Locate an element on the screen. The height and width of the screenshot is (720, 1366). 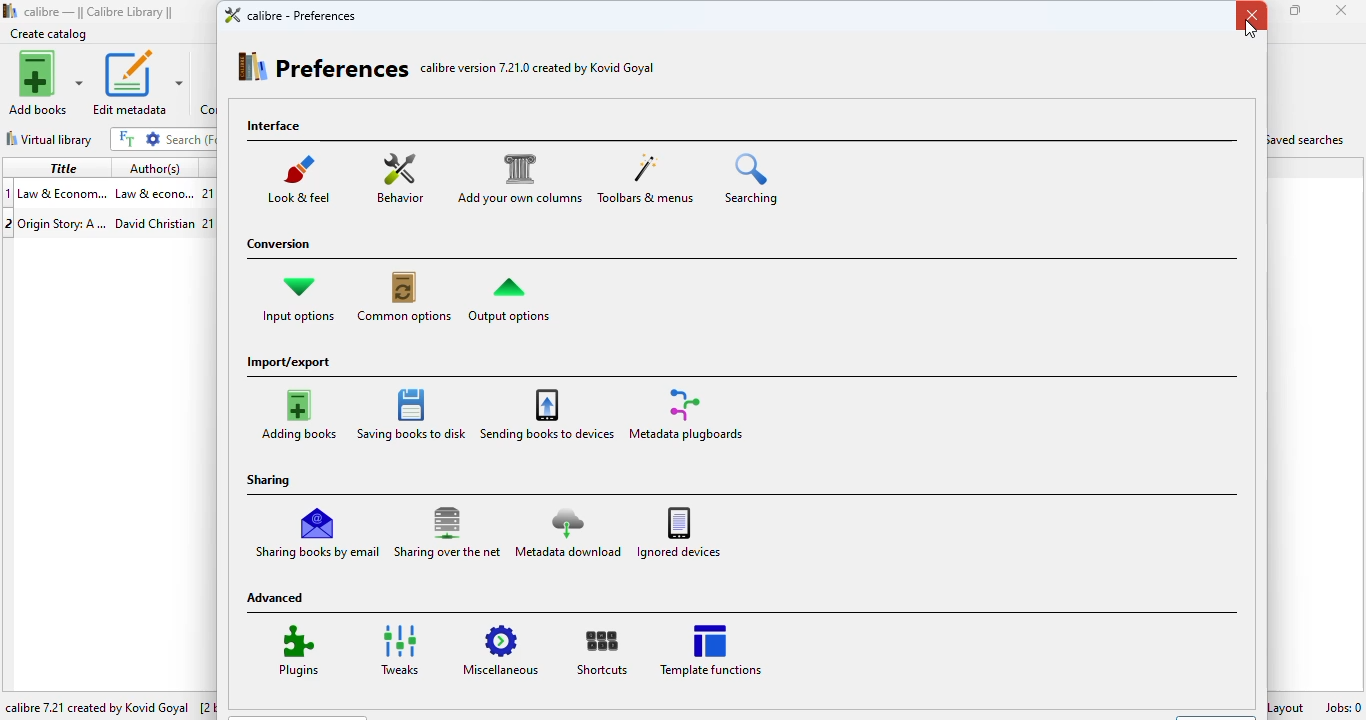
book 1 is located at coordinates (111, 194).